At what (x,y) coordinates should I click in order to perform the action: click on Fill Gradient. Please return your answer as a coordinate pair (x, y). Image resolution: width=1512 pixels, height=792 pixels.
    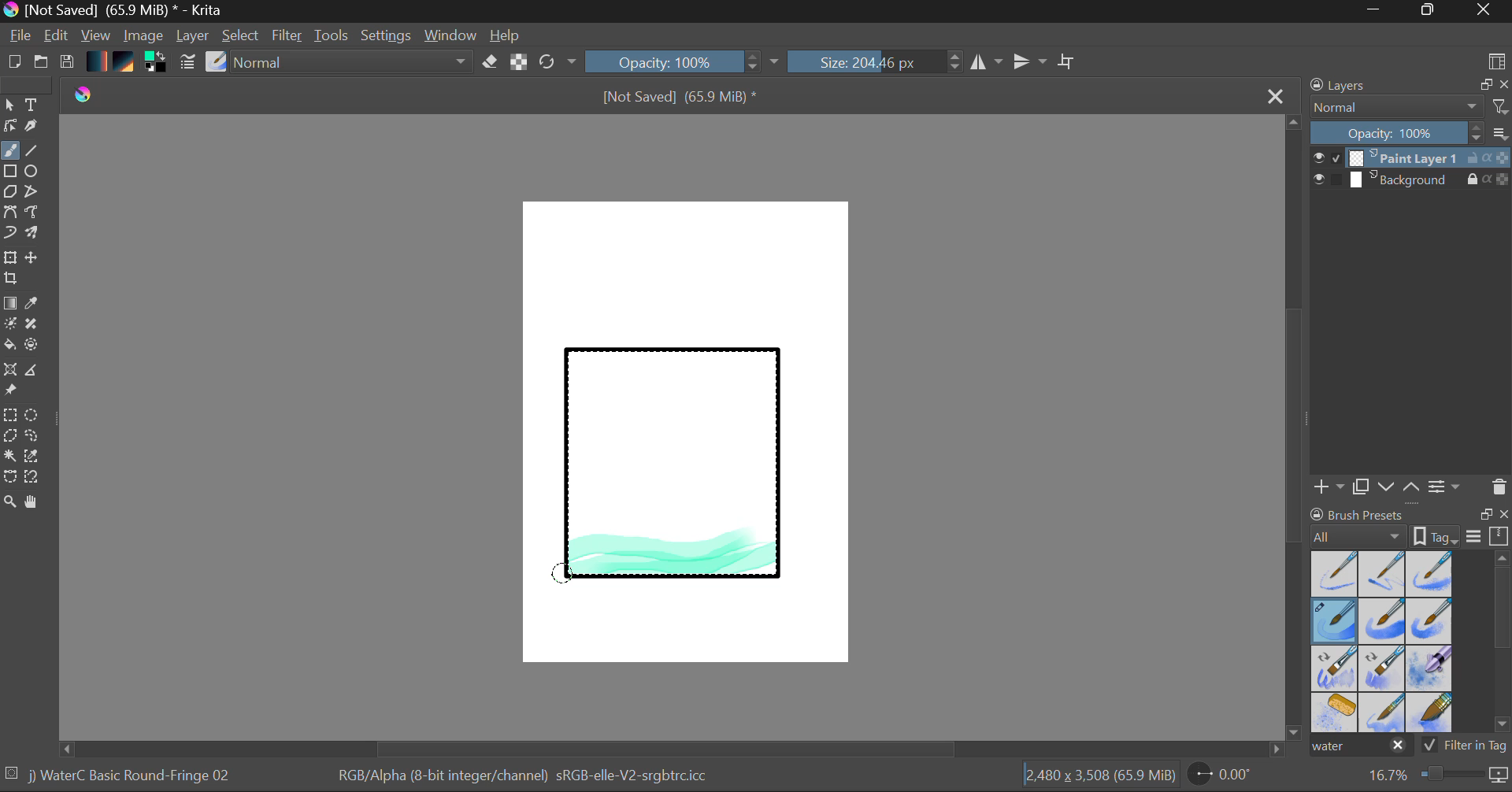
    Looking at the image, I should click on (10, 302).